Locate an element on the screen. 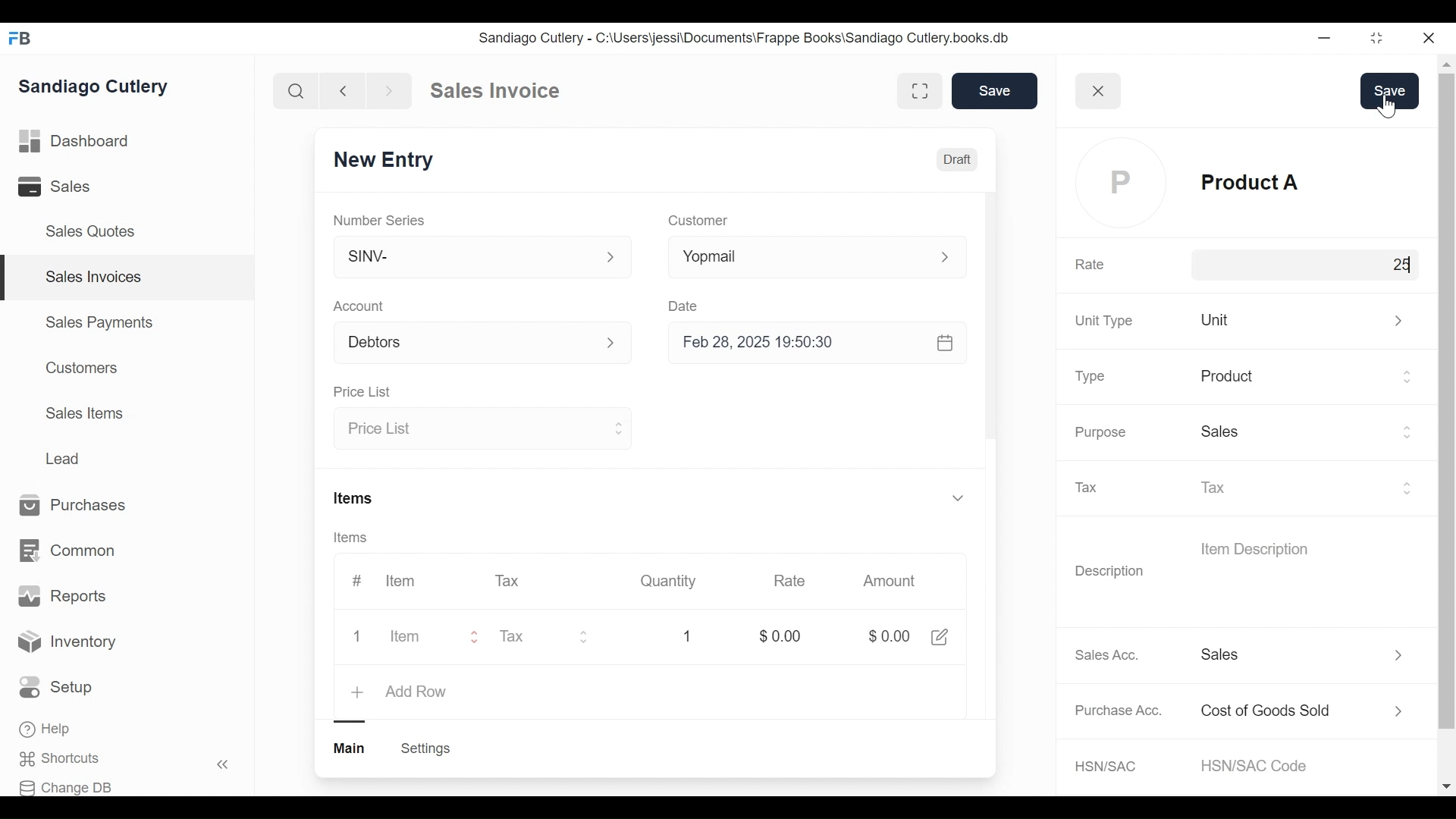 Image resolution: width=1456 pixels, height=819 pixels. Date is located at coordinates (686, 304).